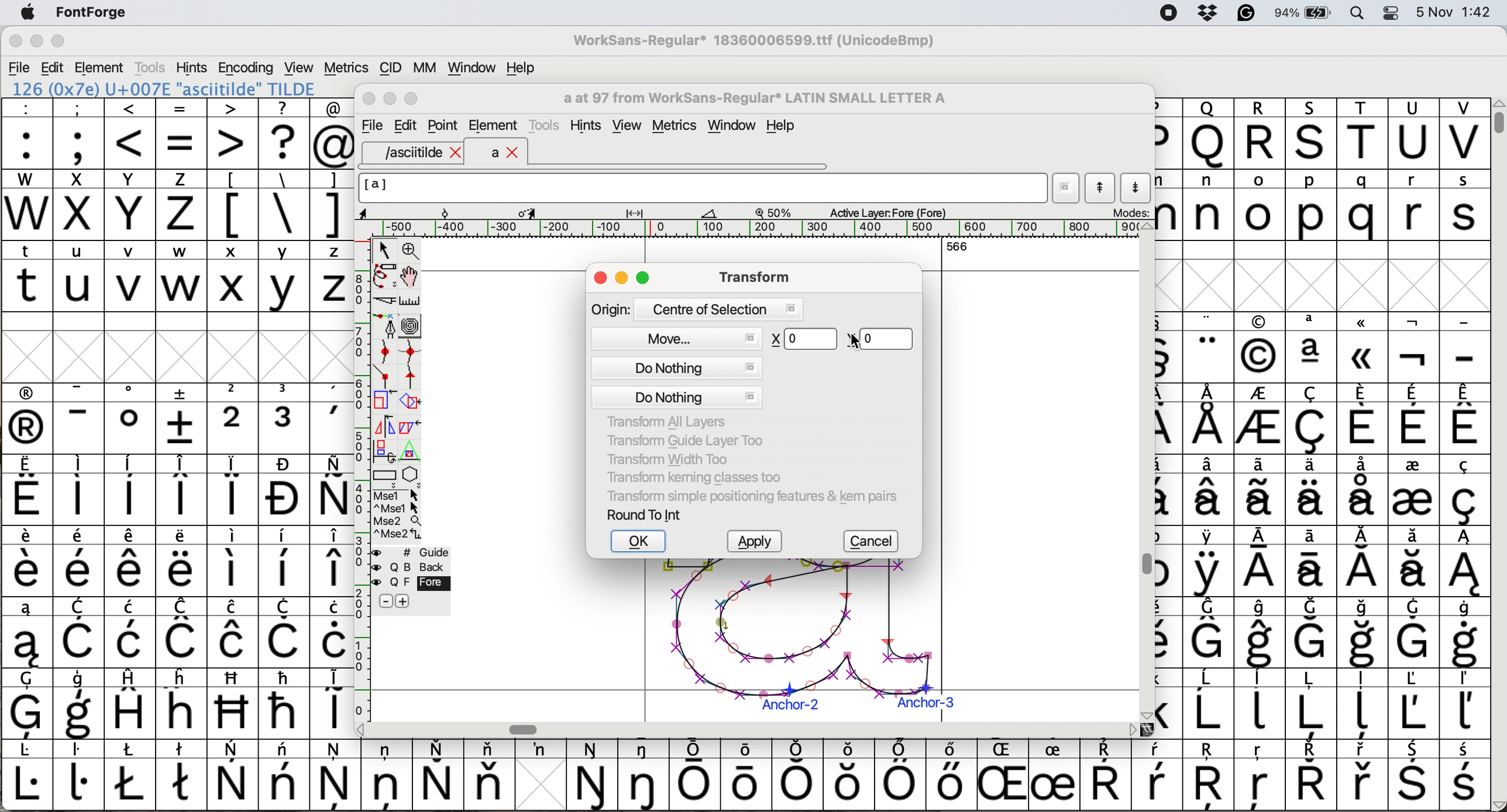 The height and width of the screenshot is (812, 1507). Describe the element at coordinates (1466, 776) in the screenshot. I see `symbol` at that location.